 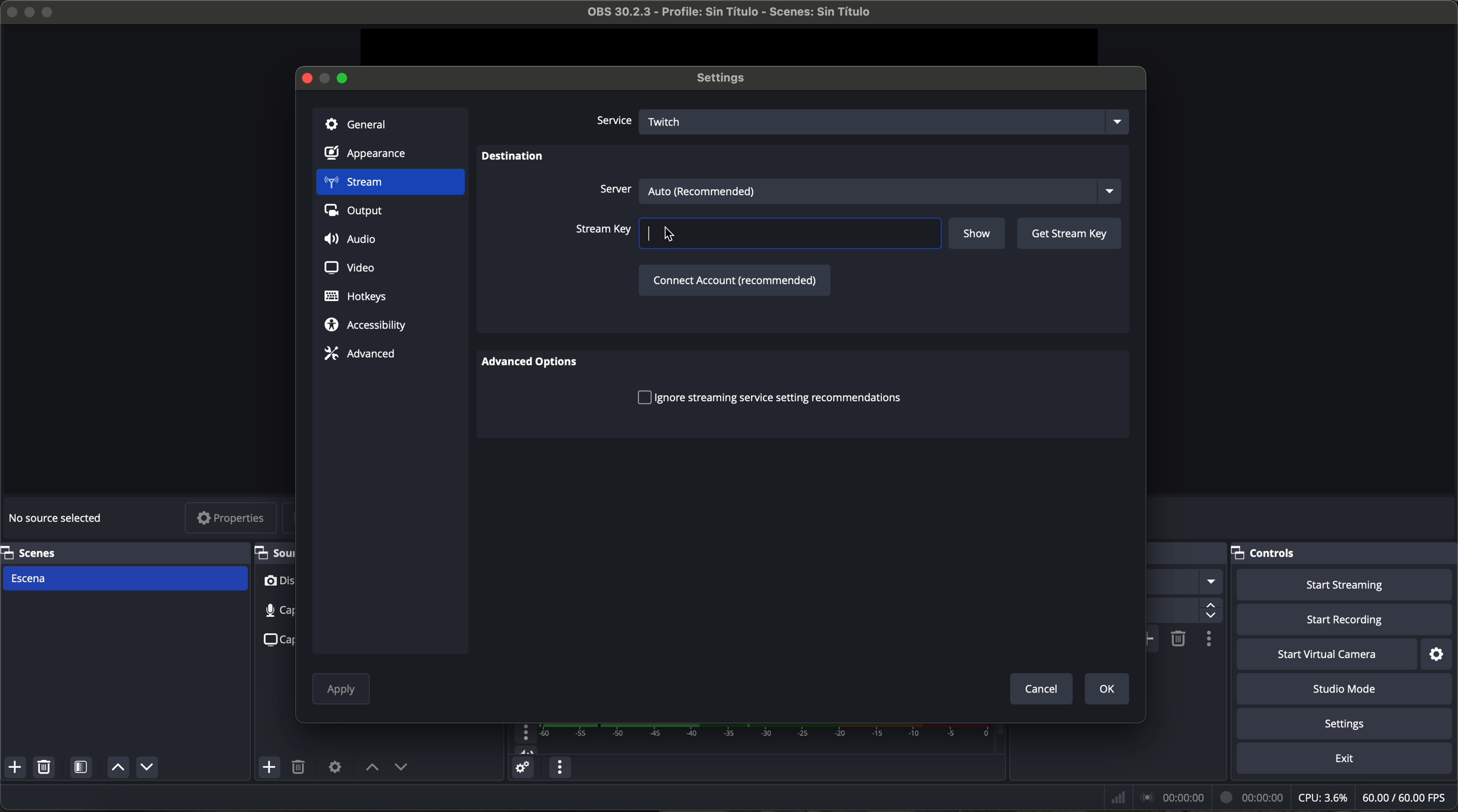 I want to click on remove selected scene, so click(x=46, y=769).